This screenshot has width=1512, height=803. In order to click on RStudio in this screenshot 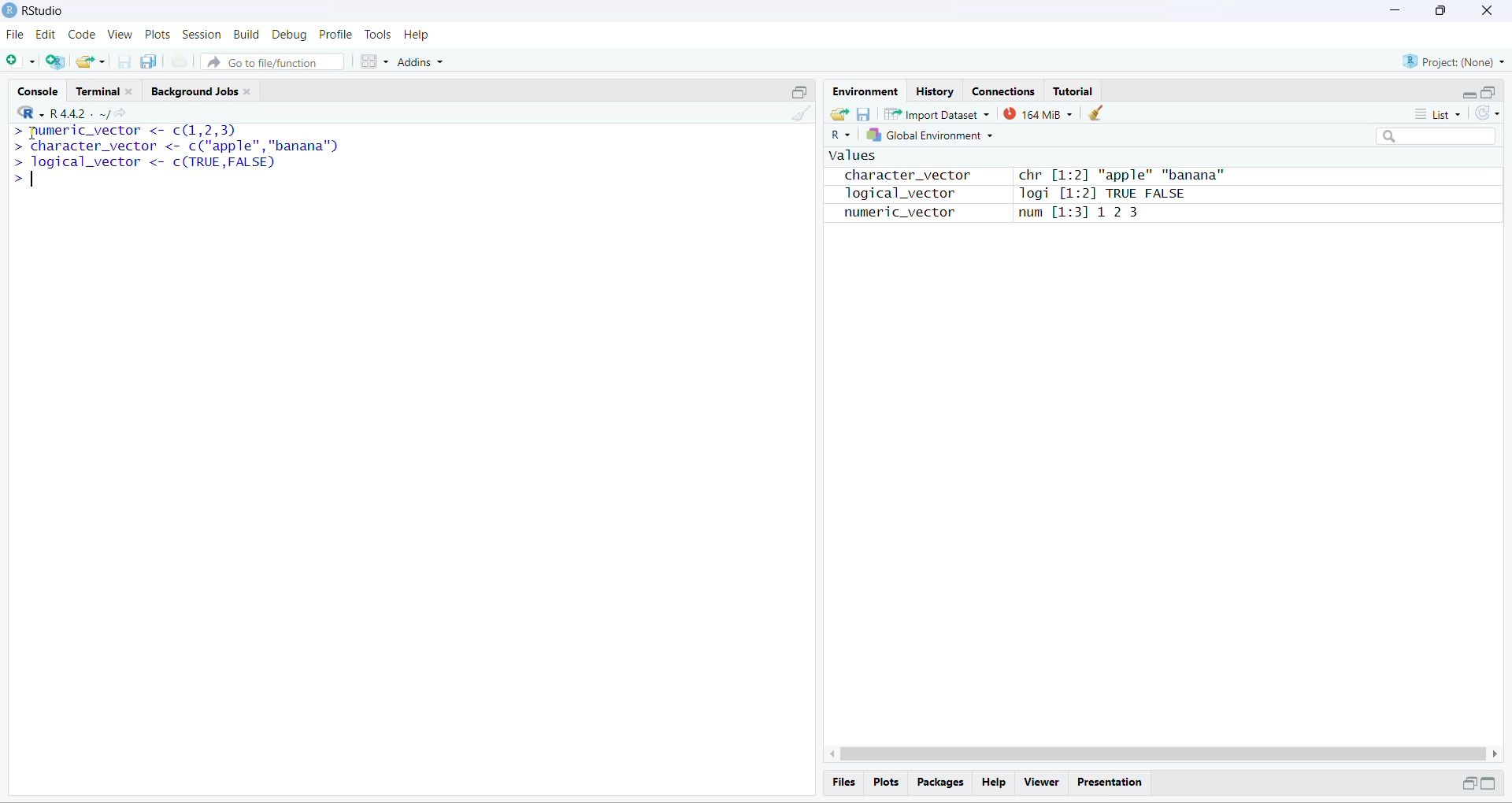, I will do `click(47, 9)`.